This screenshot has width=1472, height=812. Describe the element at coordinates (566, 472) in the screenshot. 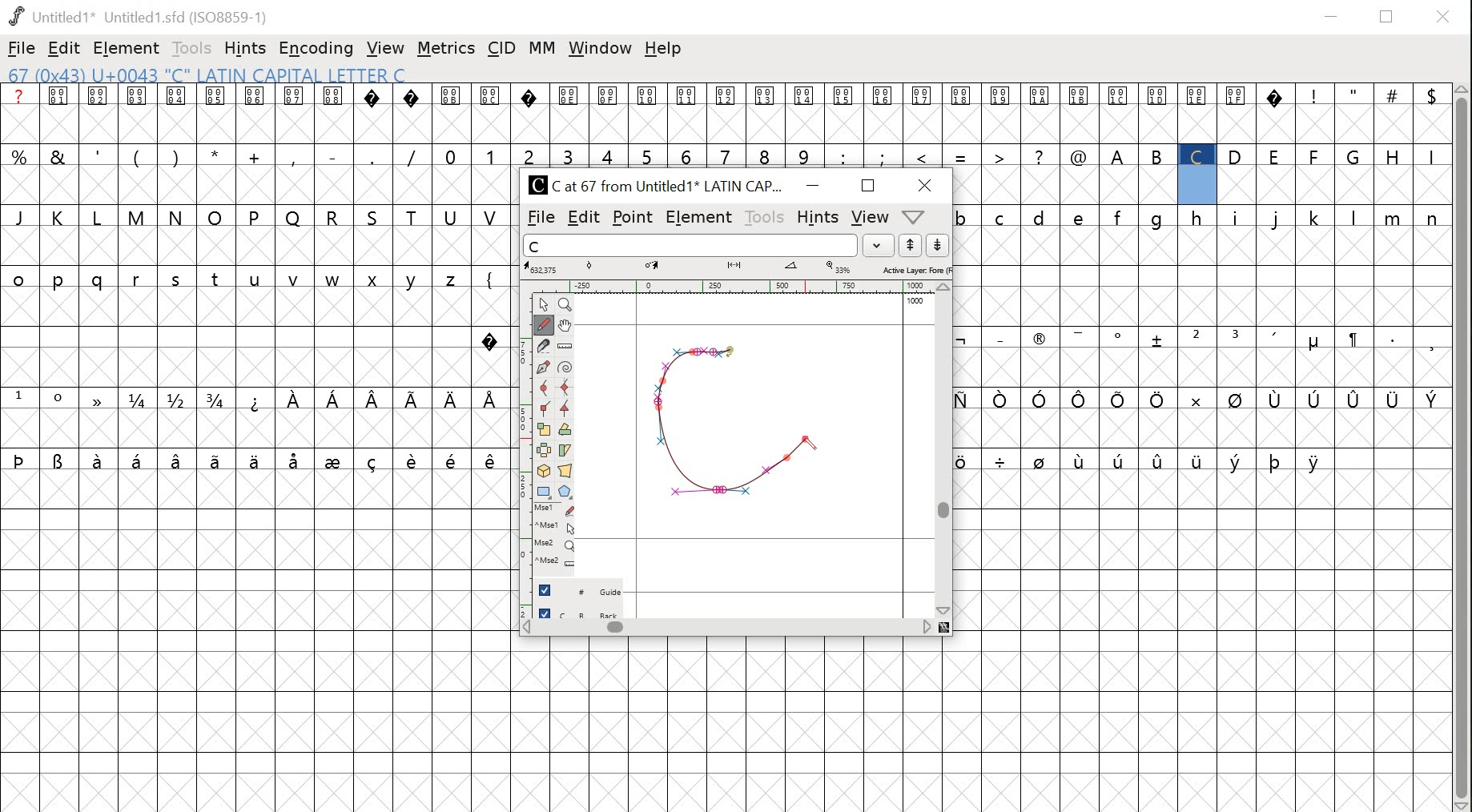

I see `perspective` at that location.